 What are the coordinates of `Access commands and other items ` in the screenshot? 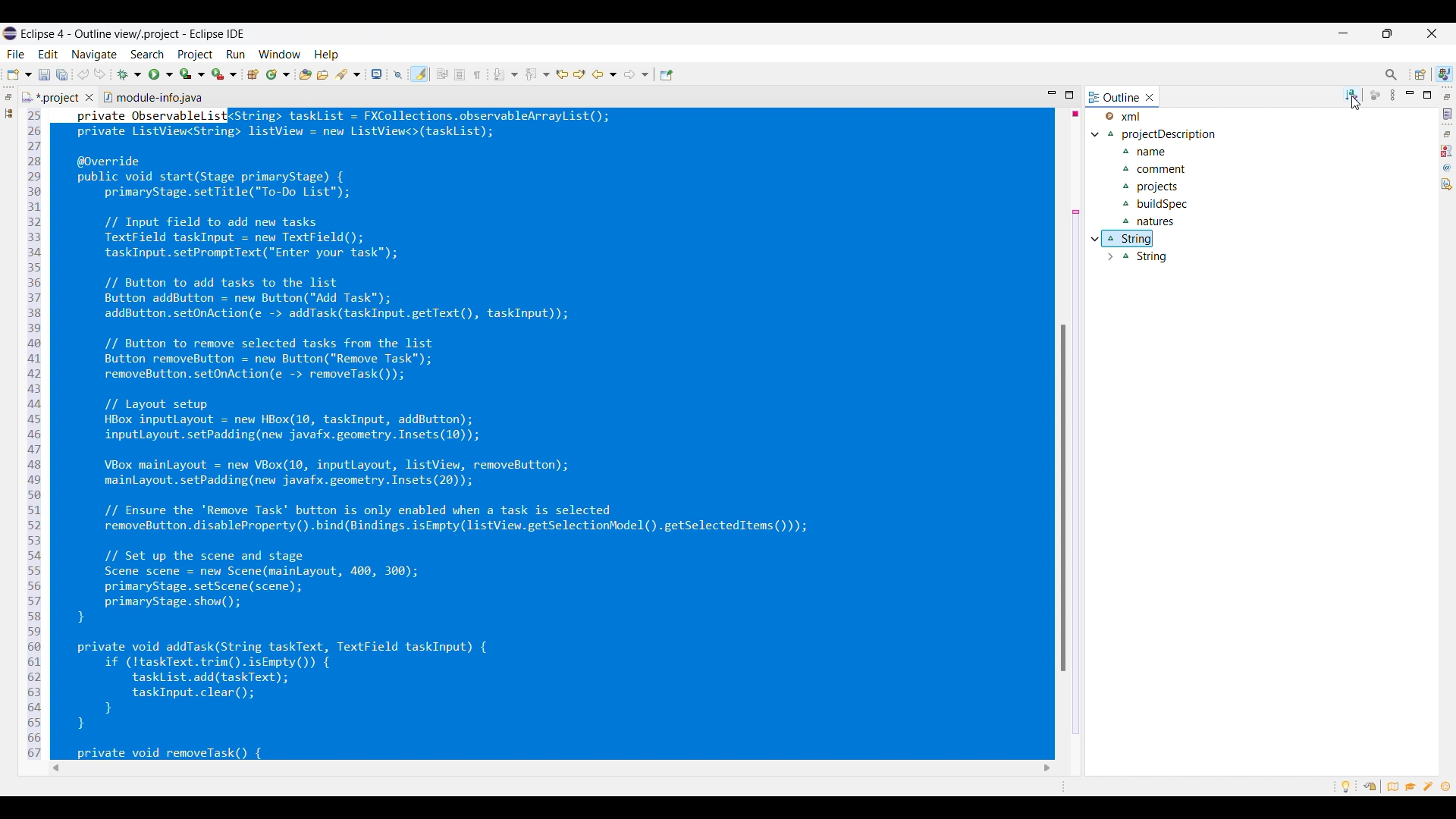 It's located at (1392, 75).